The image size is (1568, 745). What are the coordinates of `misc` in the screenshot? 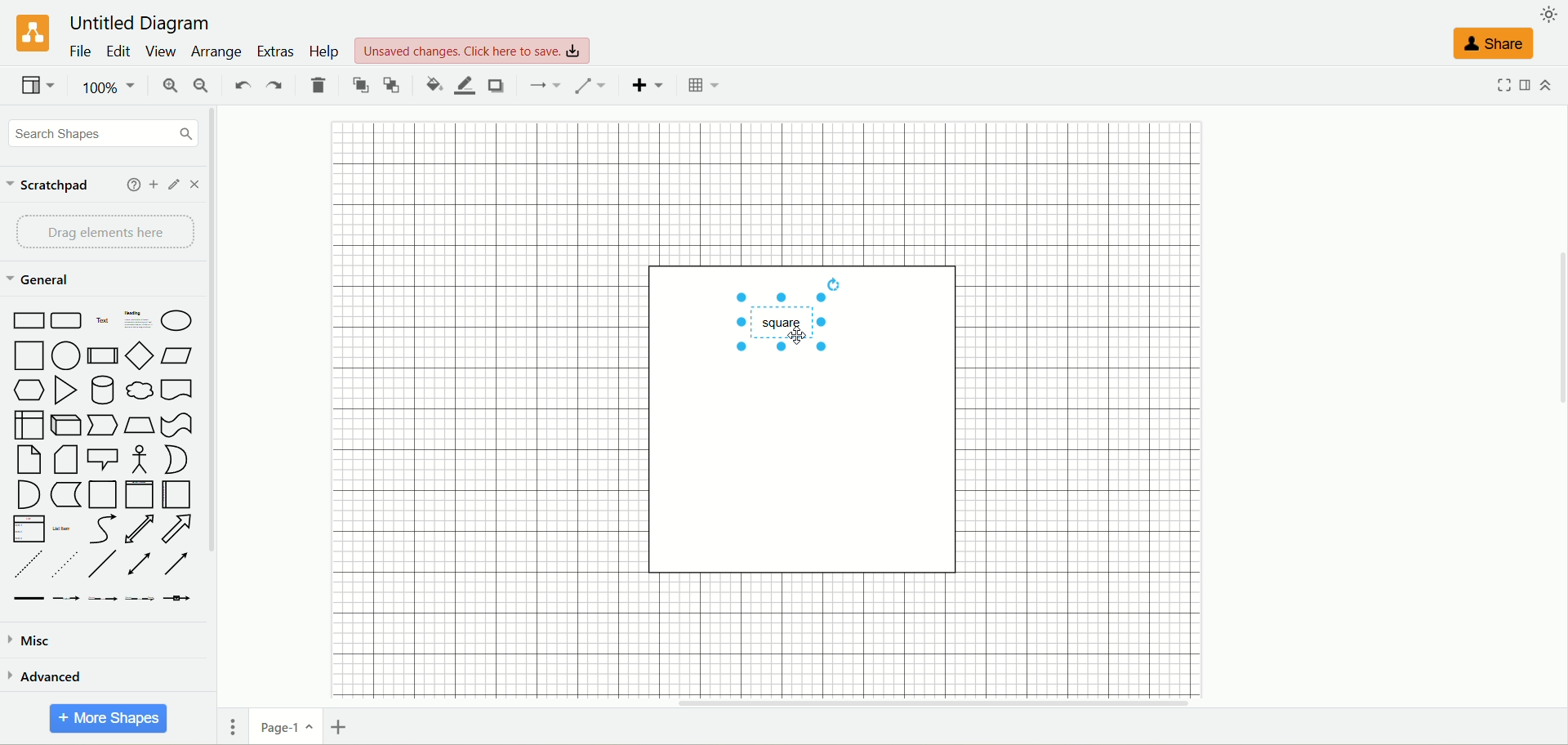 It's located at (36, 638).